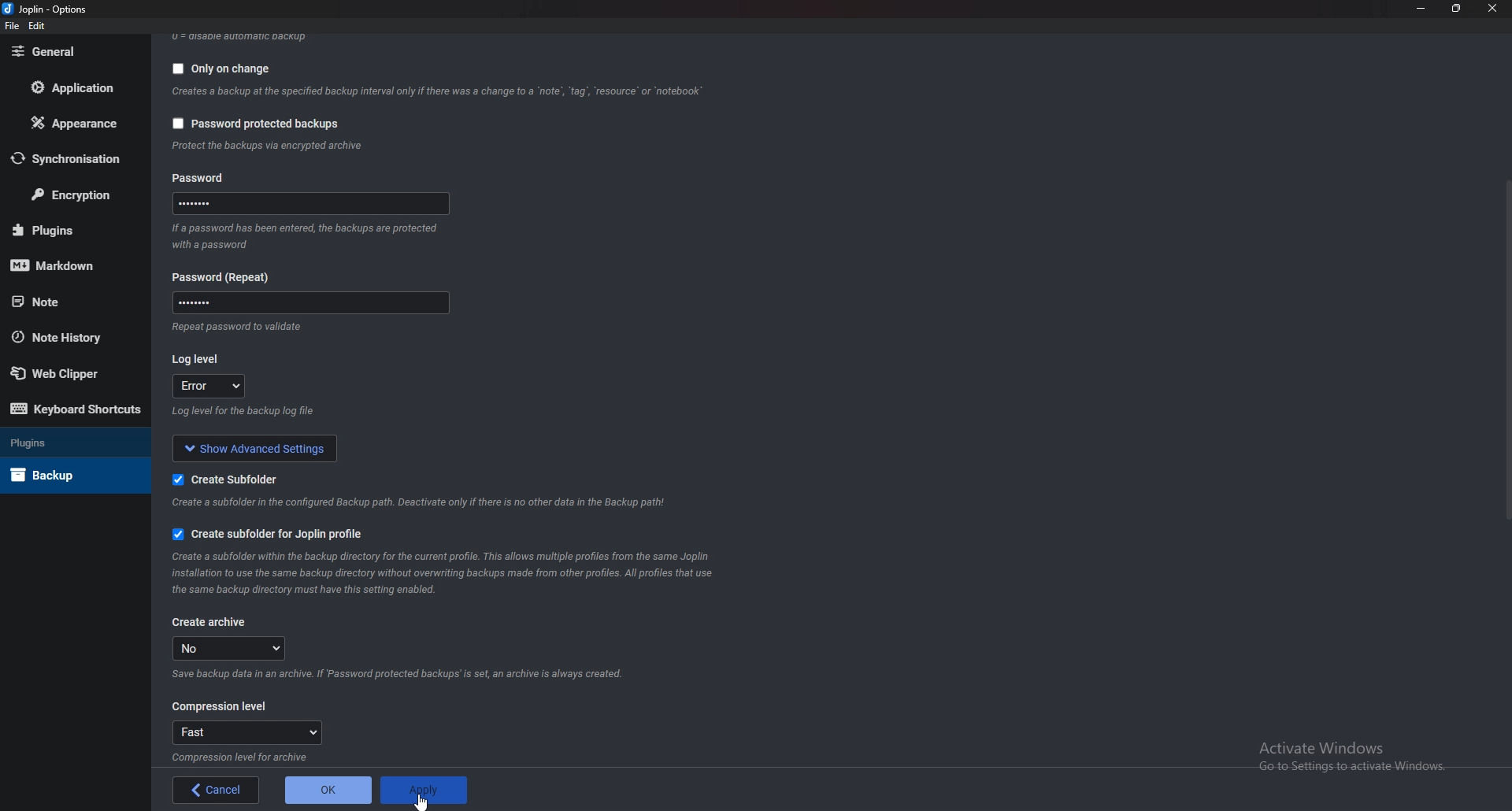 The height and width of the screenshot is (811, 1512). What do you see at coordinates (255, 449) in the screenshot?
I see `show advanced settings` at bounding box center [255, 449].